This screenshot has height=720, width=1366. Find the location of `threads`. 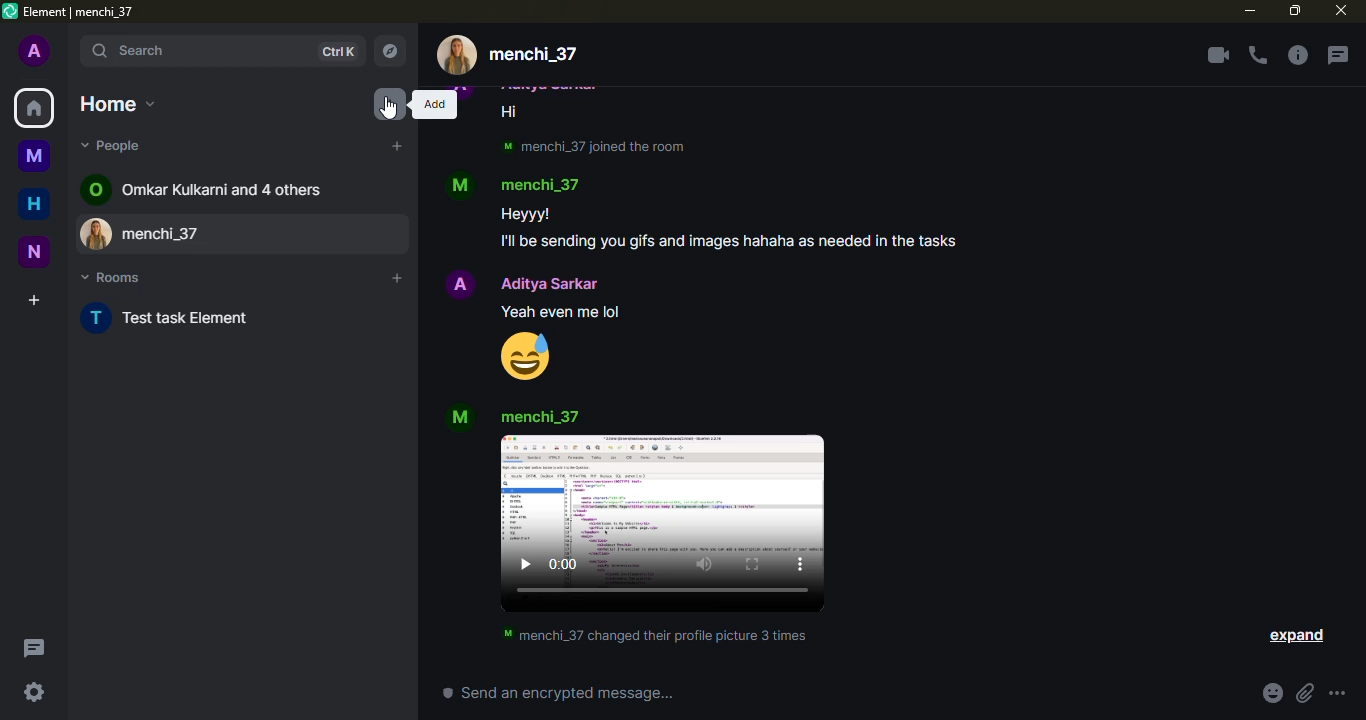

threads is located at coordinates (1337, 55).